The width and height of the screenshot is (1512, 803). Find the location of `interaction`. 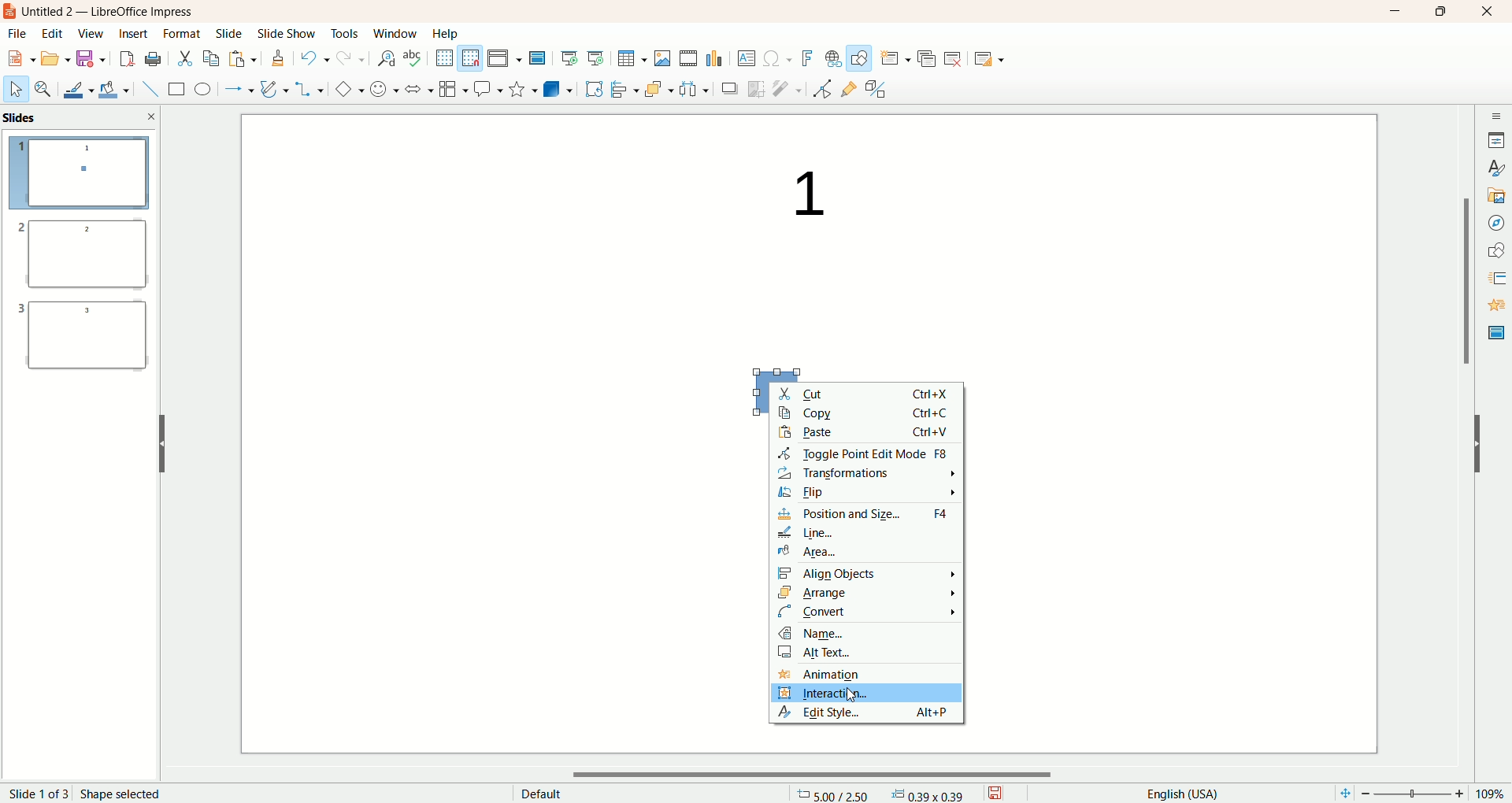

interaction is located at coordinates (864, 694).